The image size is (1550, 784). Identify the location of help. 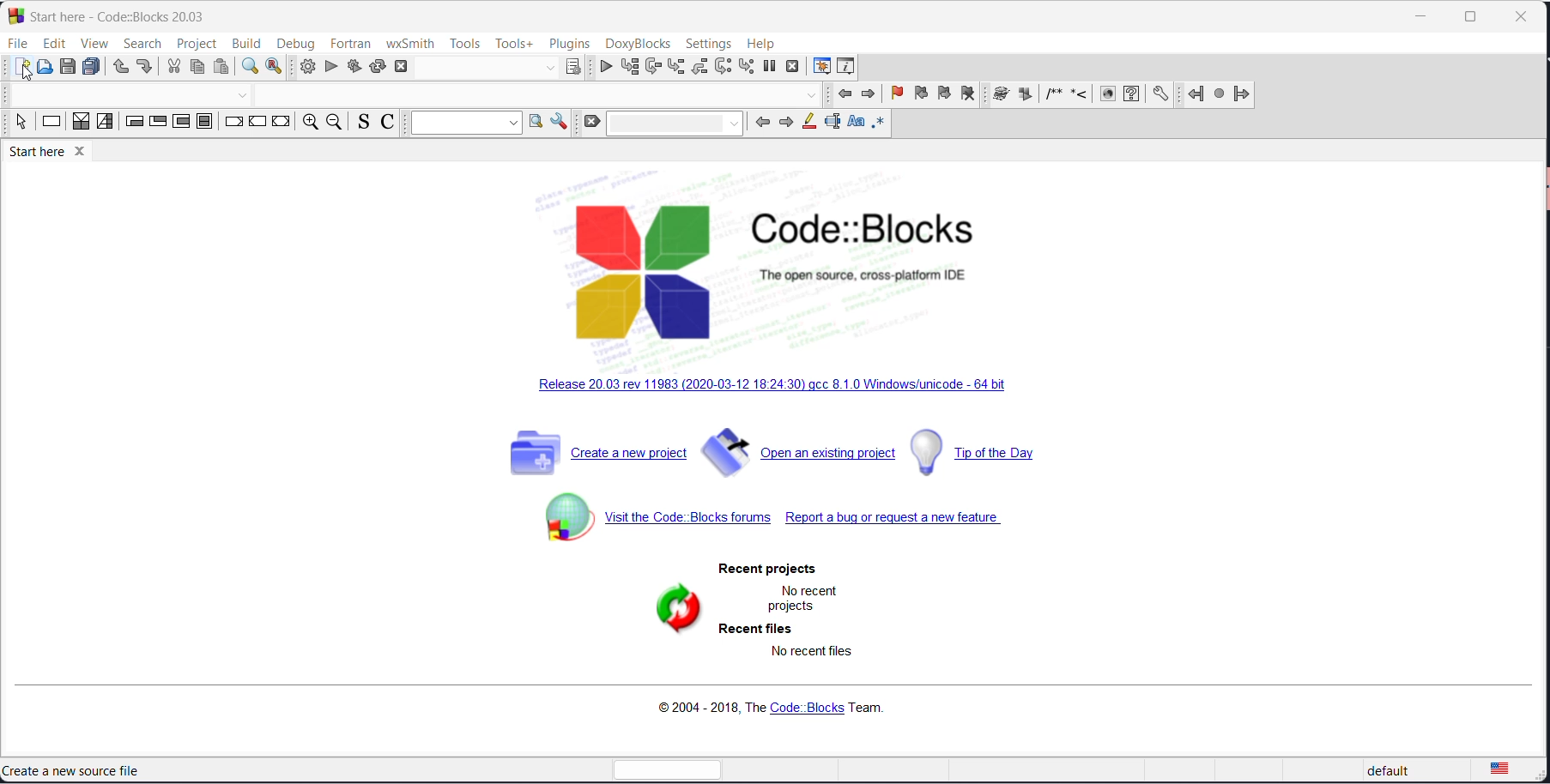
(763, 43).